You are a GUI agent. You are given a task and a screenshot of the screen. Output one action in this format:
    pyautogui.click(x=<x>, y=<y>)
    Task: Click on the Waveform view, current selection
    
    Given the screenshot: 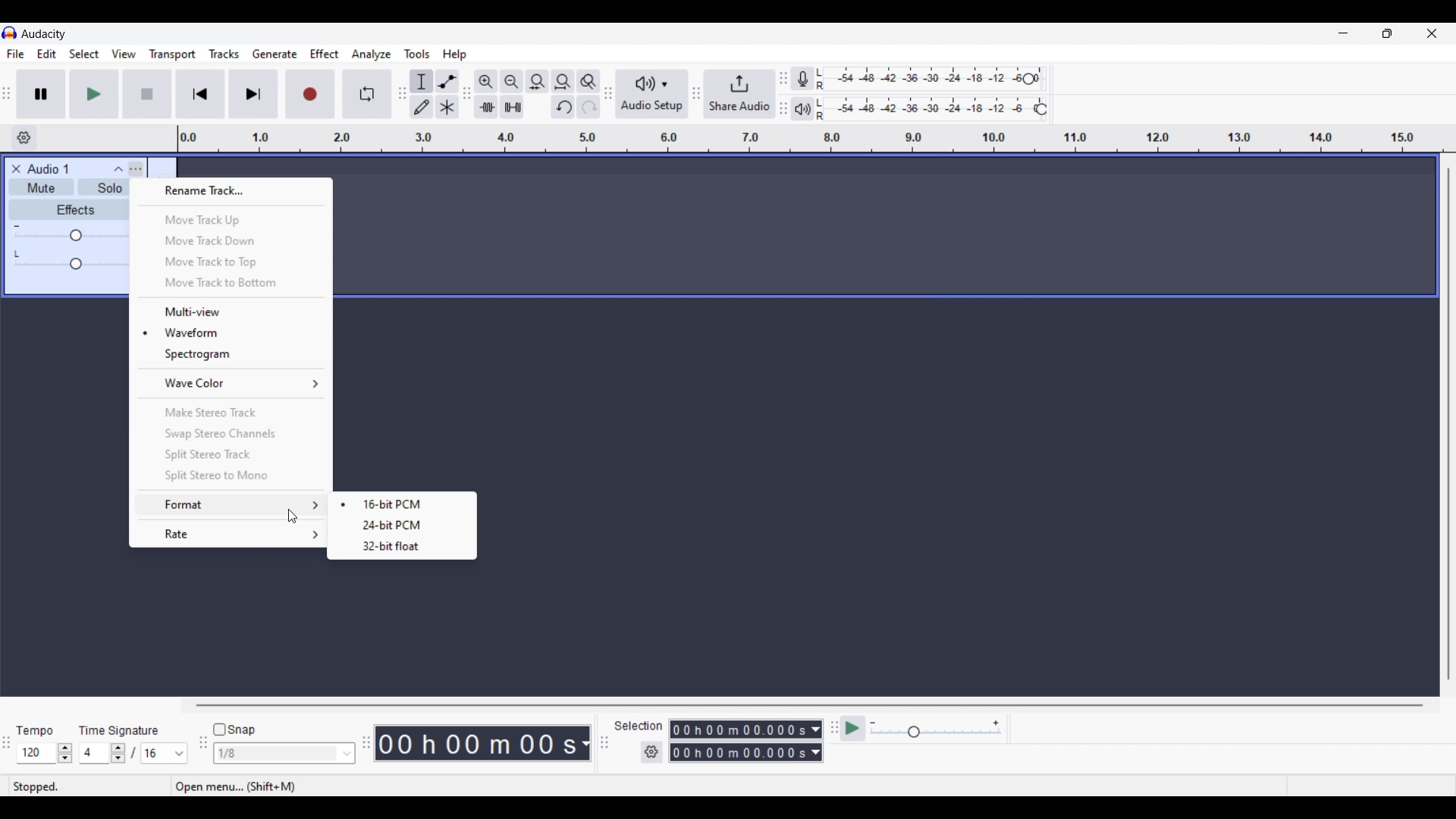 What is the action you would take?
    pyautogui.click(x=231, y=332)
    